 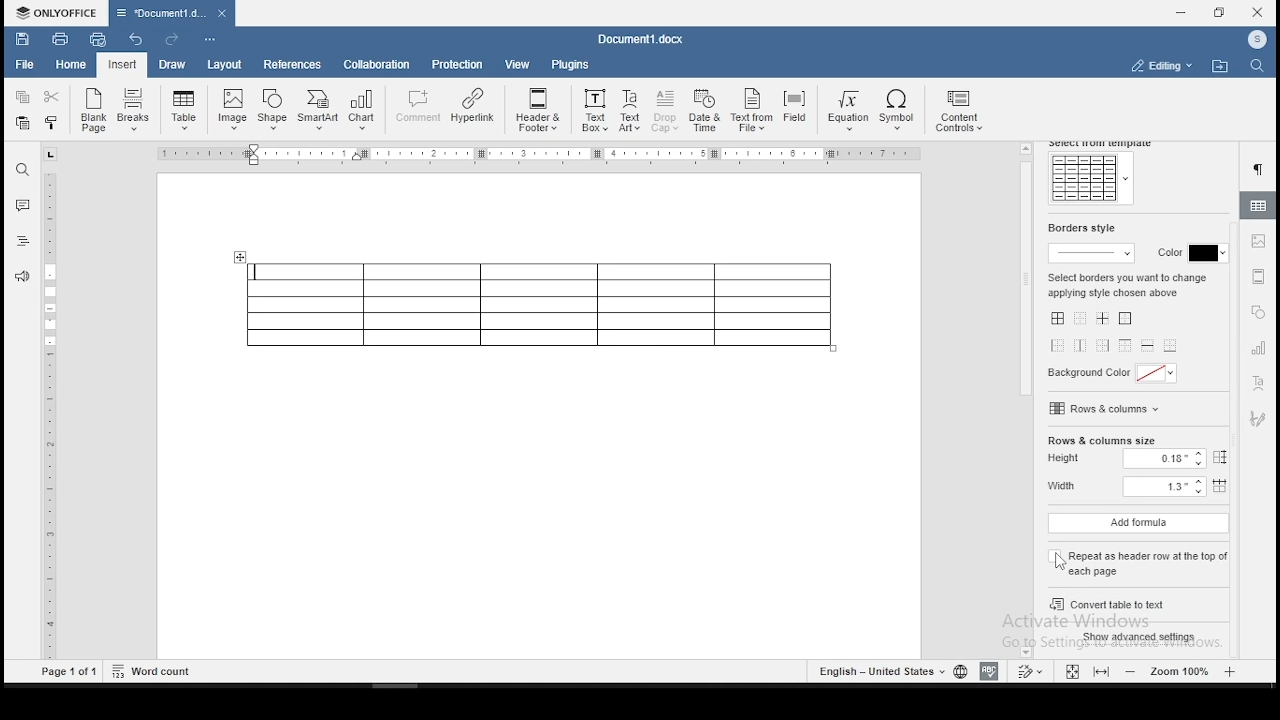 What do you see at coordinates (54, 122) in the screenshot?
I see `copy formatting` at bounding box center [54, 122].